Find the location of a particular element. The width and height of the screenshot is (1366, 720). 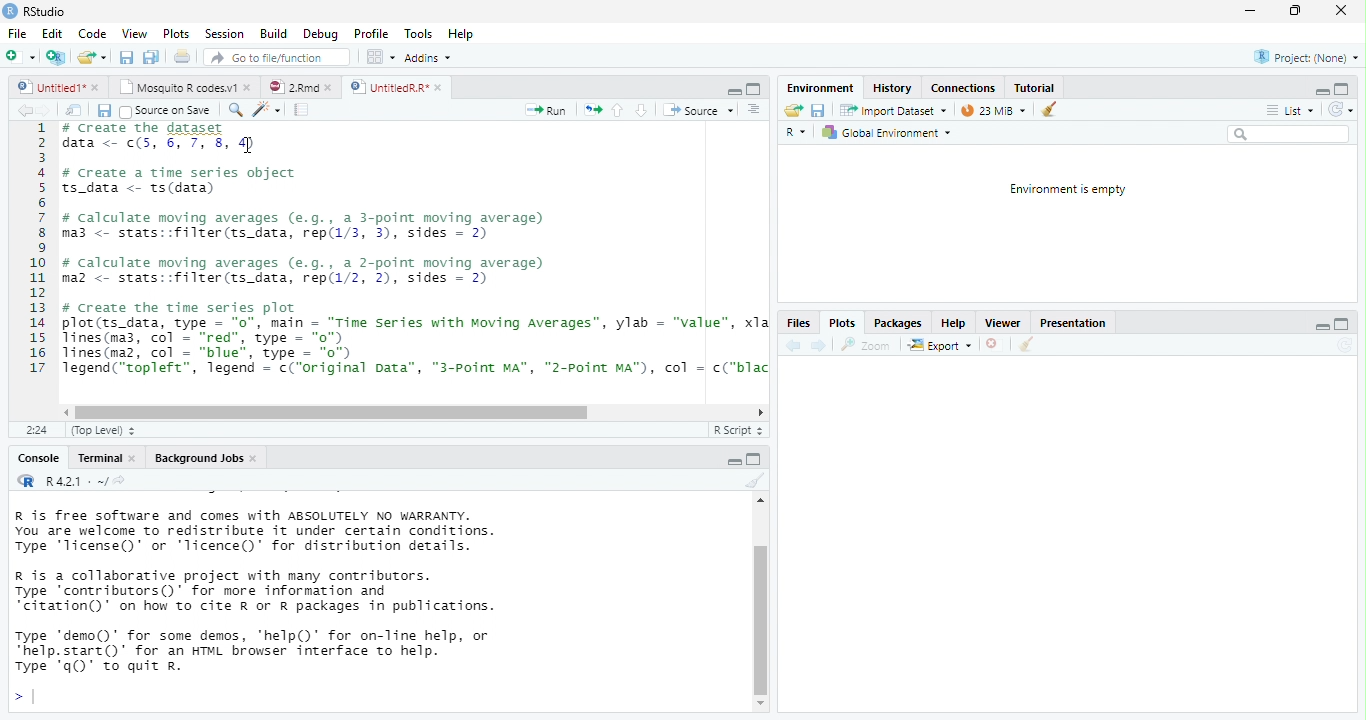

Tutorial is located at coordinates (1035, 87).